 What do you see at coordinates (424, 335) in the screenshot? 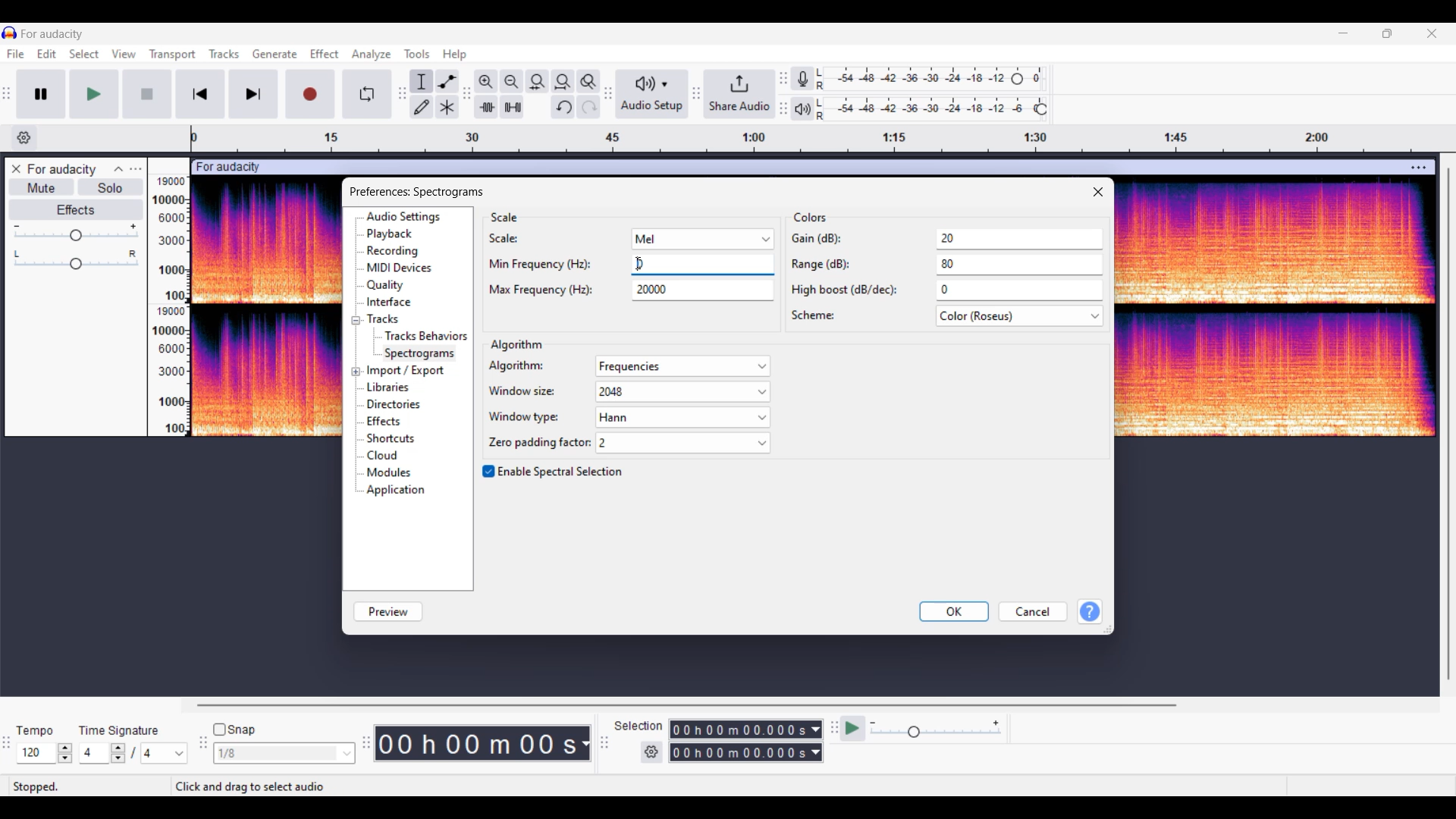
I see `tracks behaviors` at bounding box center [424, 335].